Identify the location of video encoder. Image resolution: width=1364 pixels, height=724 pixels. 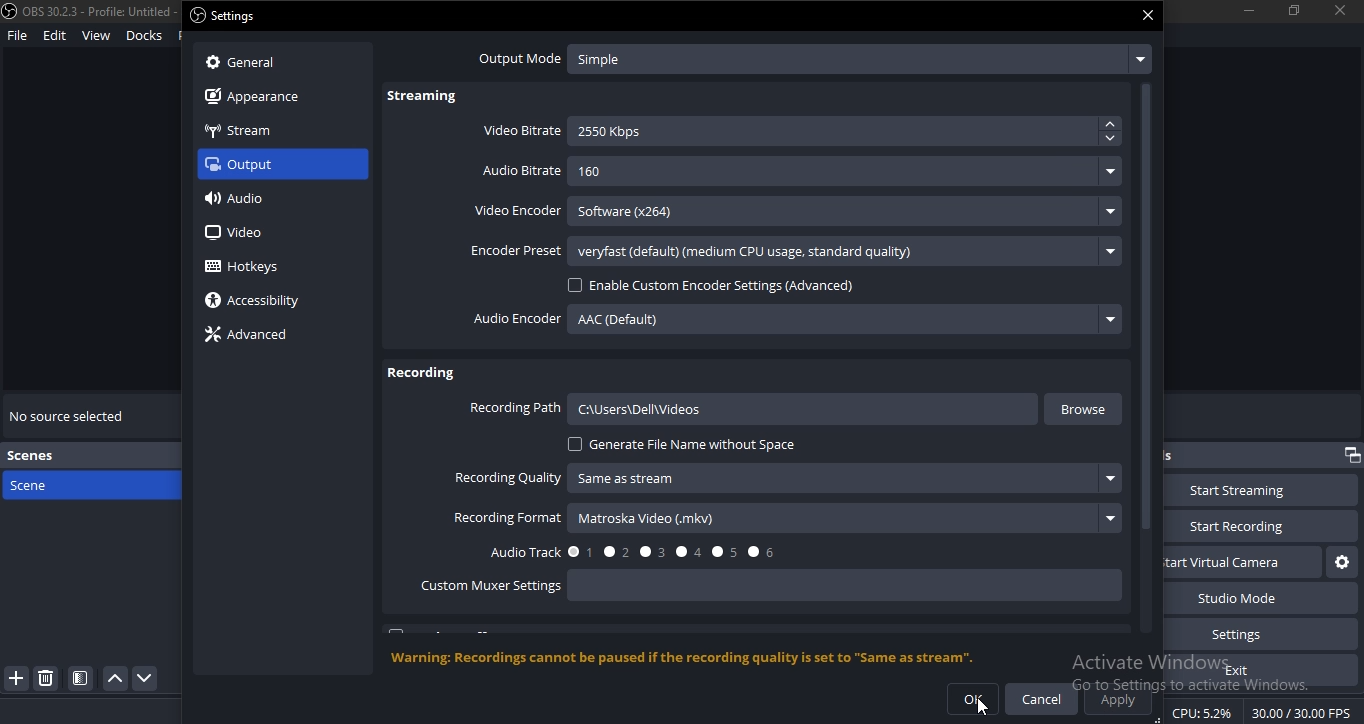
(515, 209).